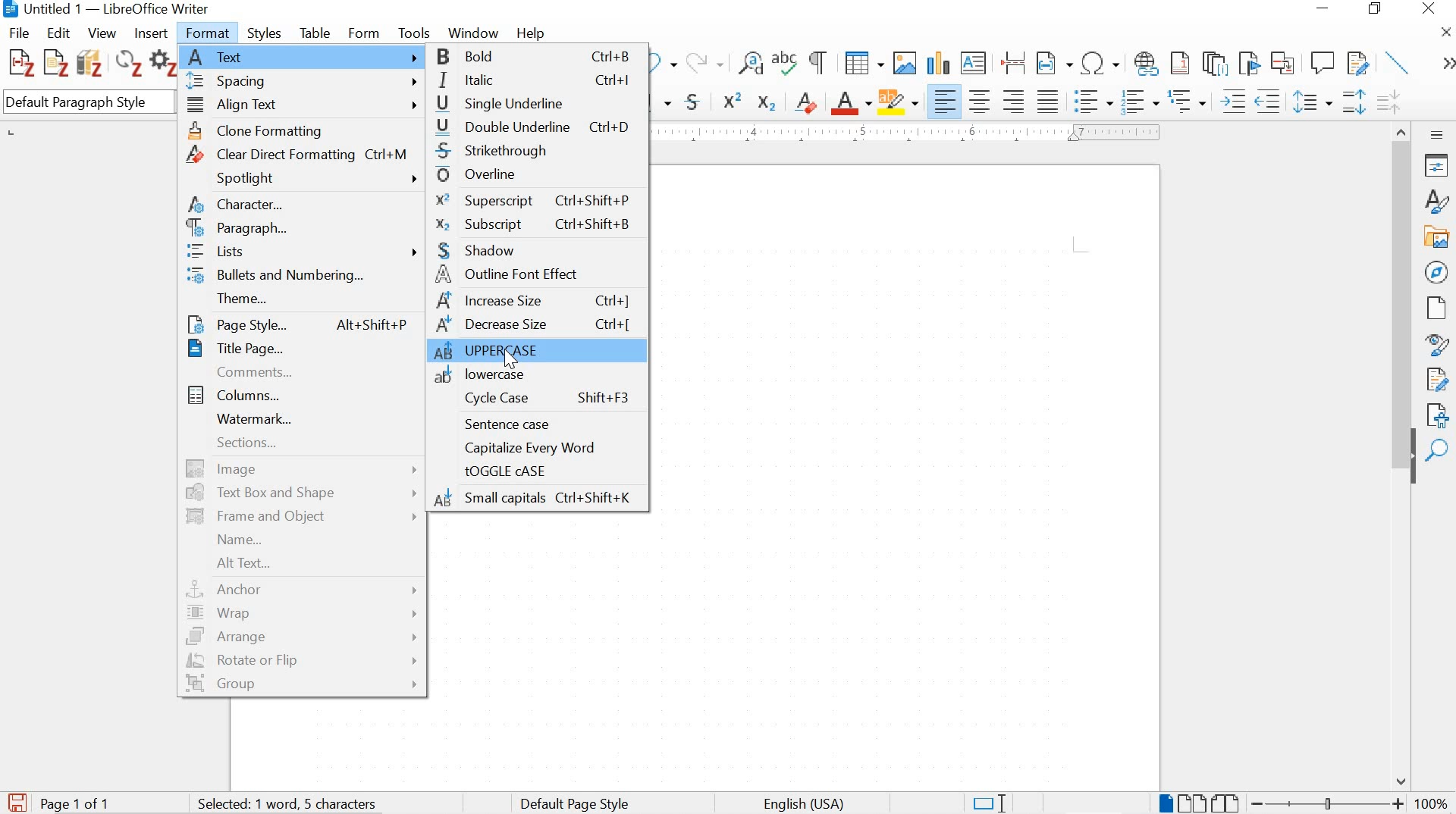 The image size is (1456, 814). What do you see at coordinates (304, 179) in the screenshot?
I see `spotlight` at bounding box center [304, 179].